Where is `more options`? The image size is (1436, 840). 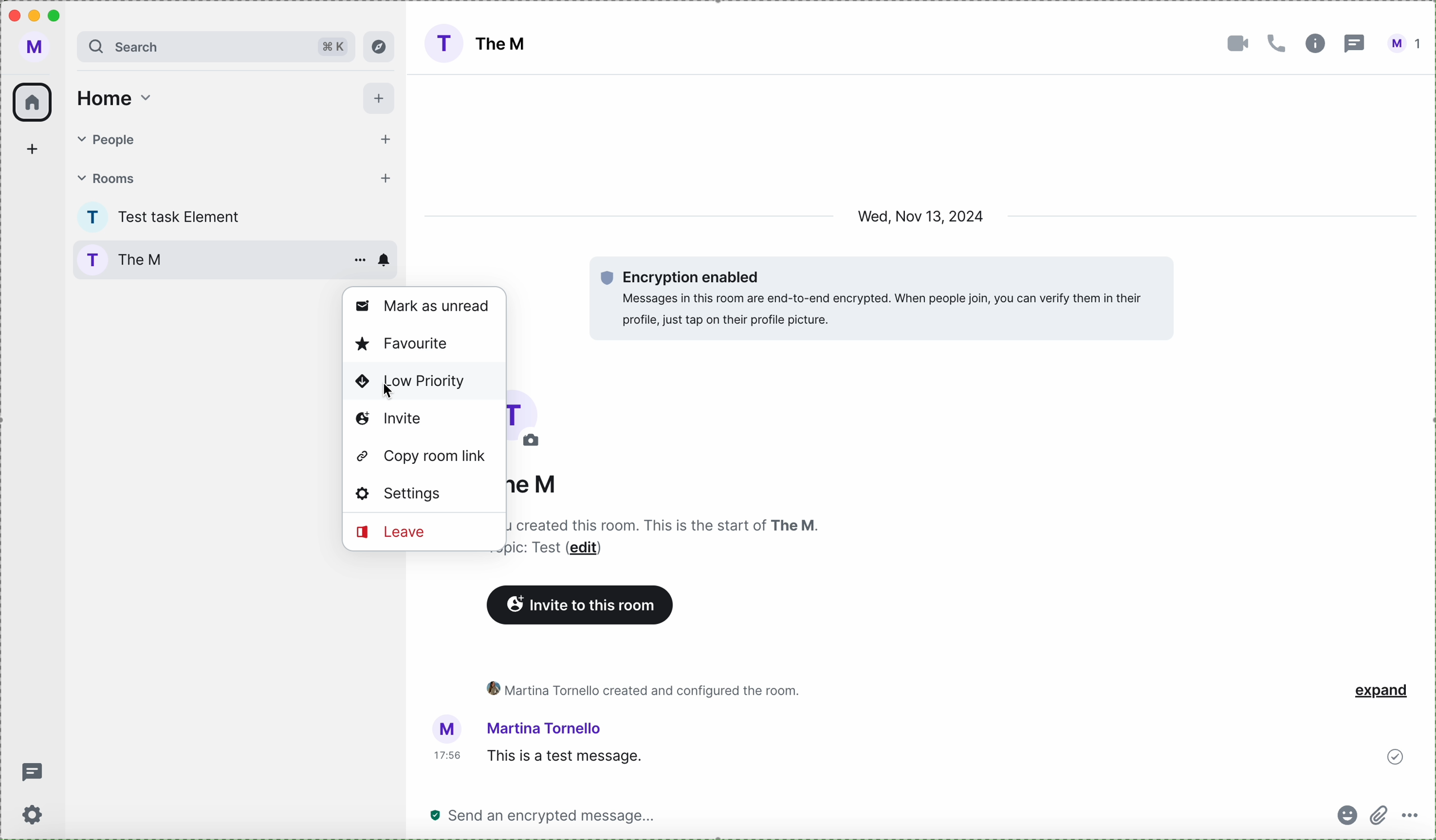 more options is located at coordinates (1410, 815).